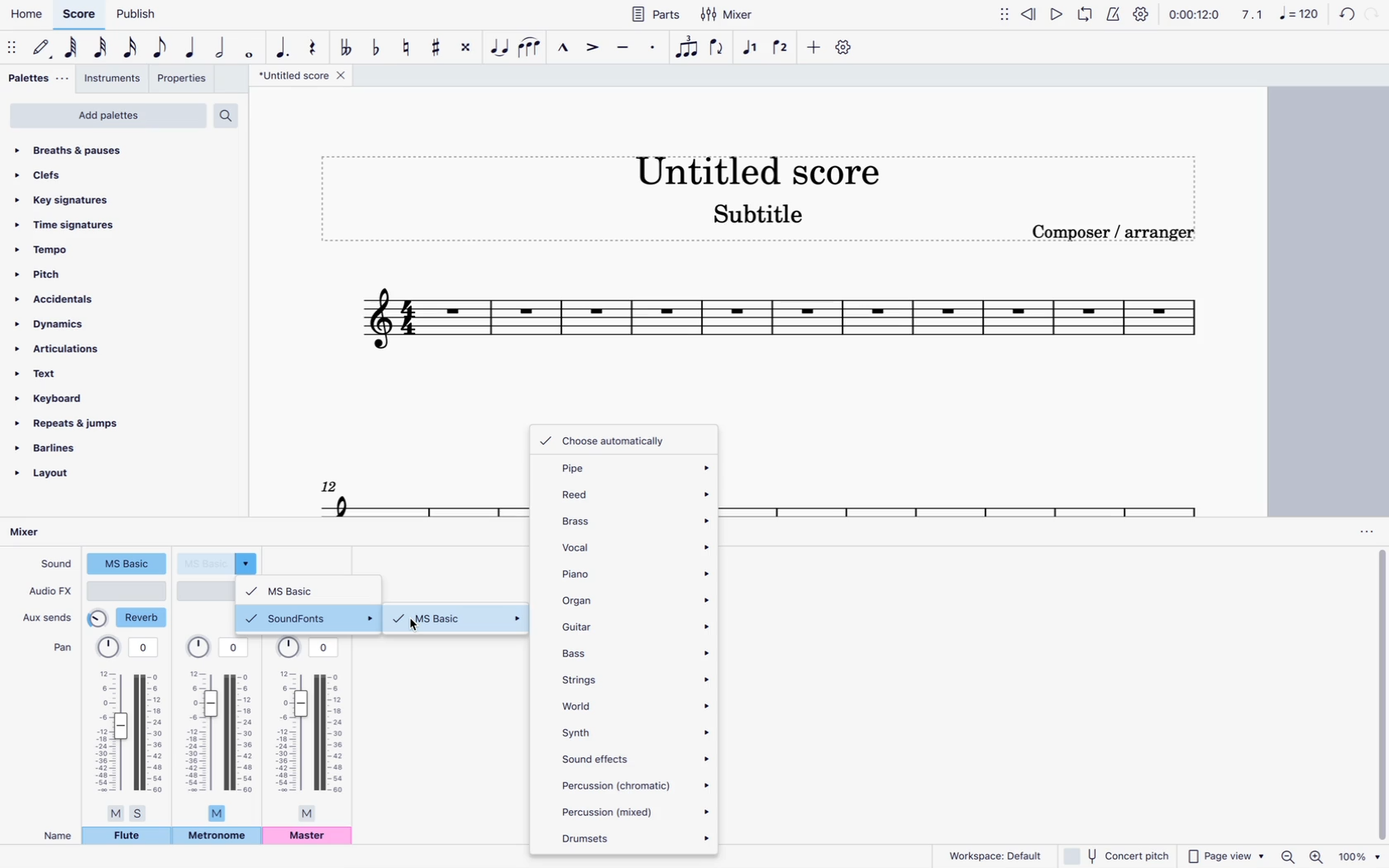 This screenshot has width=1389, height=868. Describe the element at coordinates (114, 80) in the screenshot. I see `instruments` at that location.